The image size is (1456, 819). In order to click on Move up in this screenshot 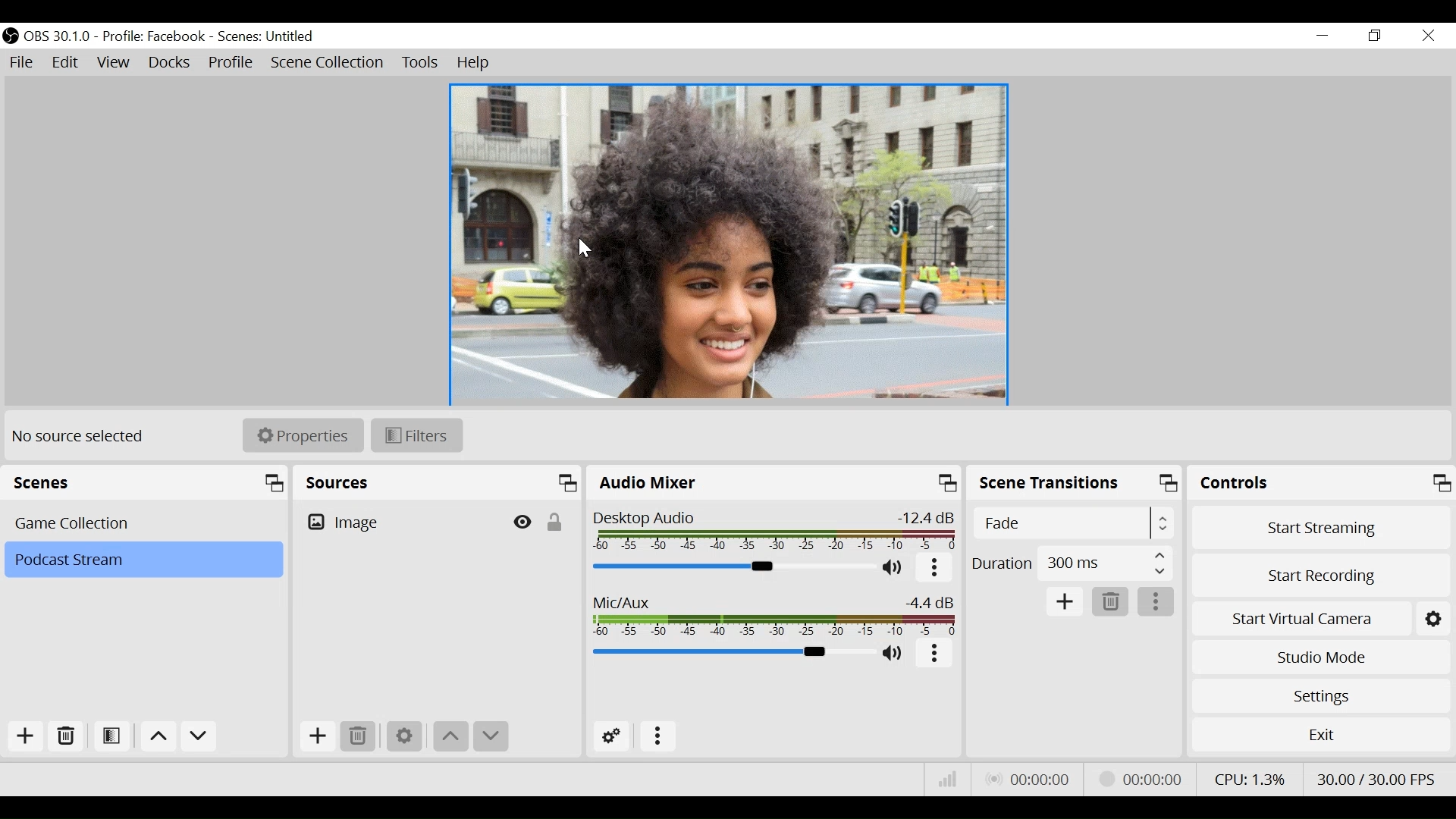, I will do `click(452, 736)`.